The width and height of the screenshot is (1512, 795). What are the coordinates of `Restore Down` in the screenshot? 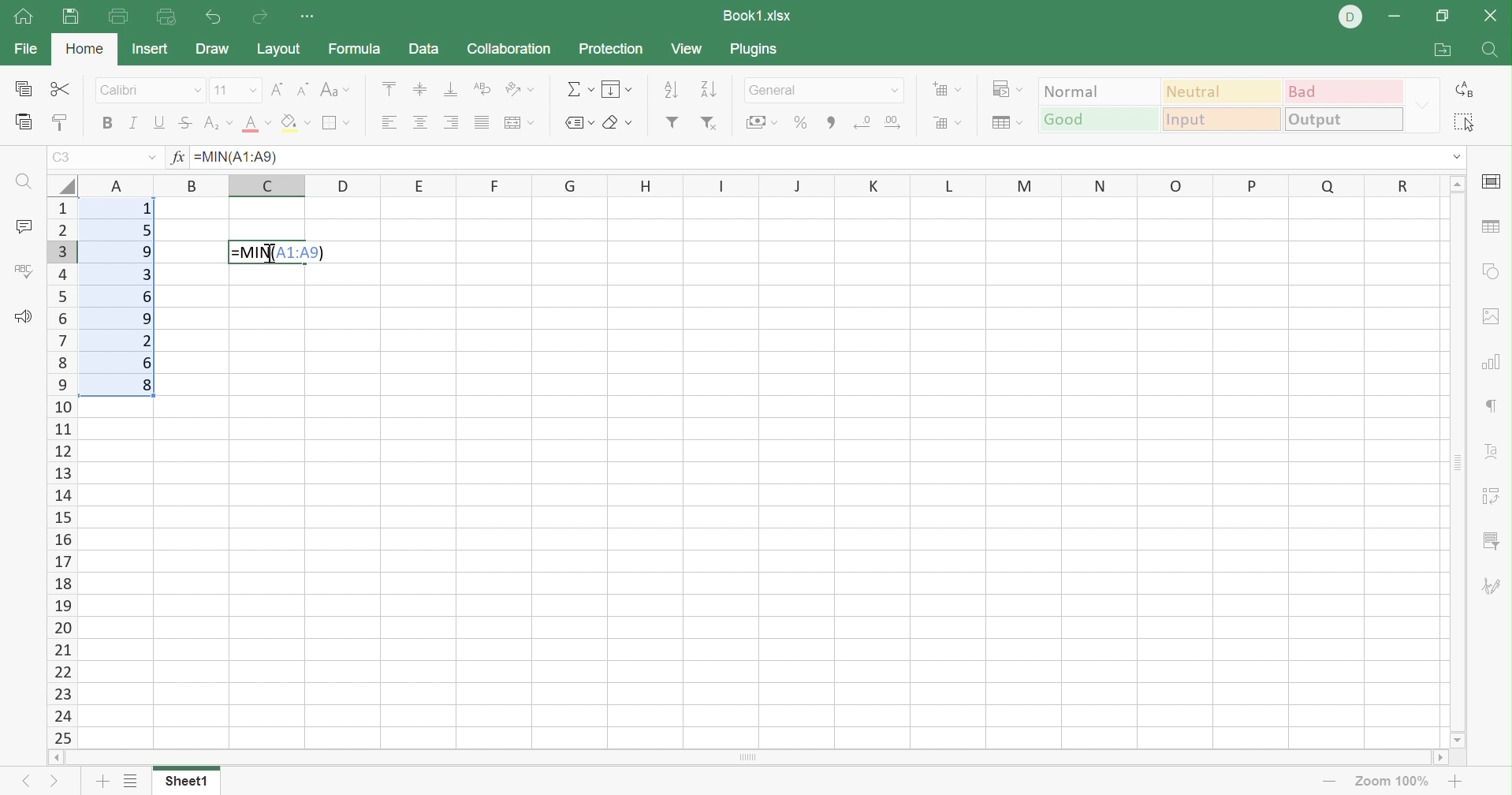 It's located at (1446, 13).